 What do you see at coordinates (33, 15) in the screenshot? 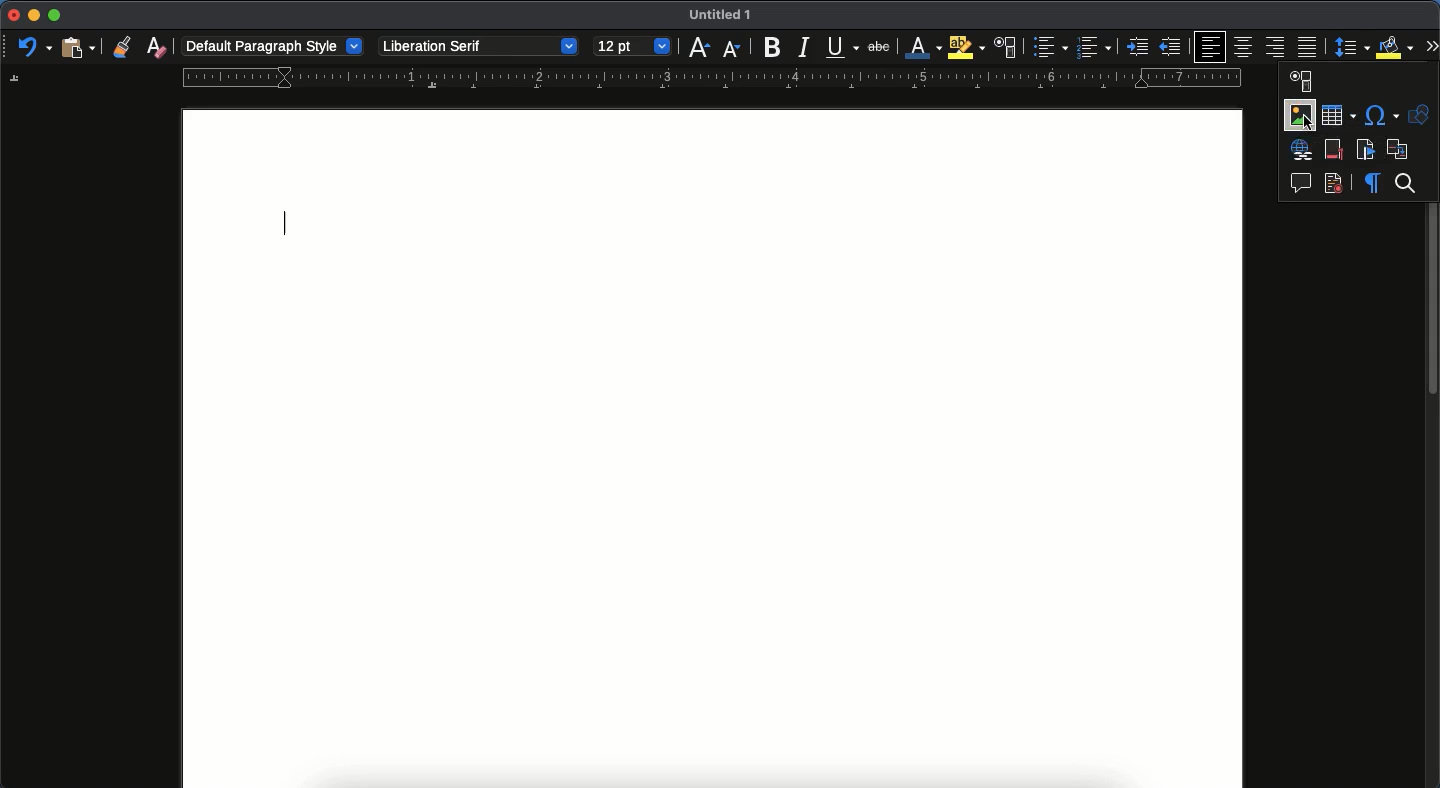
I see `minimize` at bounding box center [33, 15].